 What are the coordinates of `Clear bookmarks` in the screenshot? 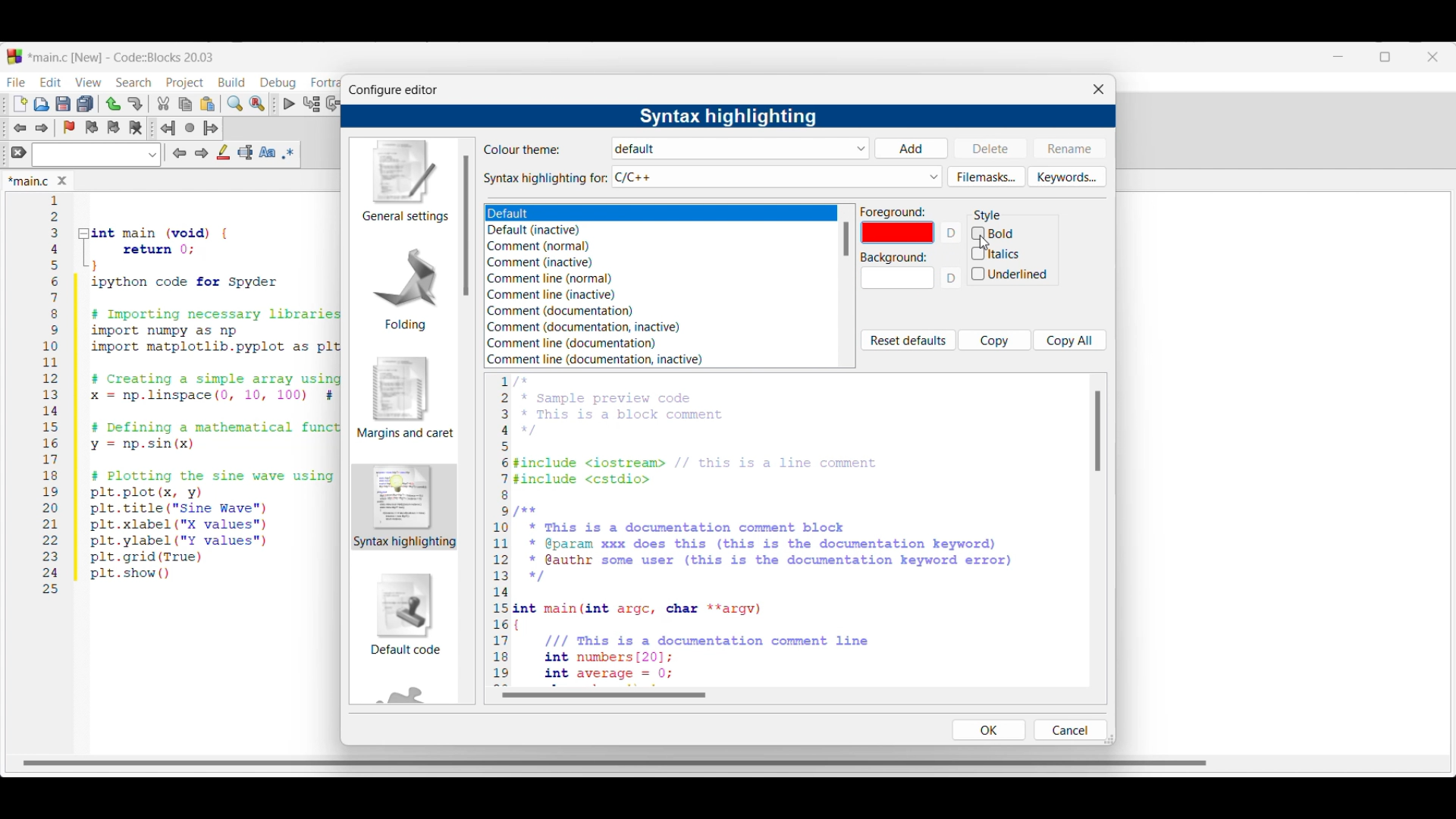 It's located at (135, 128).